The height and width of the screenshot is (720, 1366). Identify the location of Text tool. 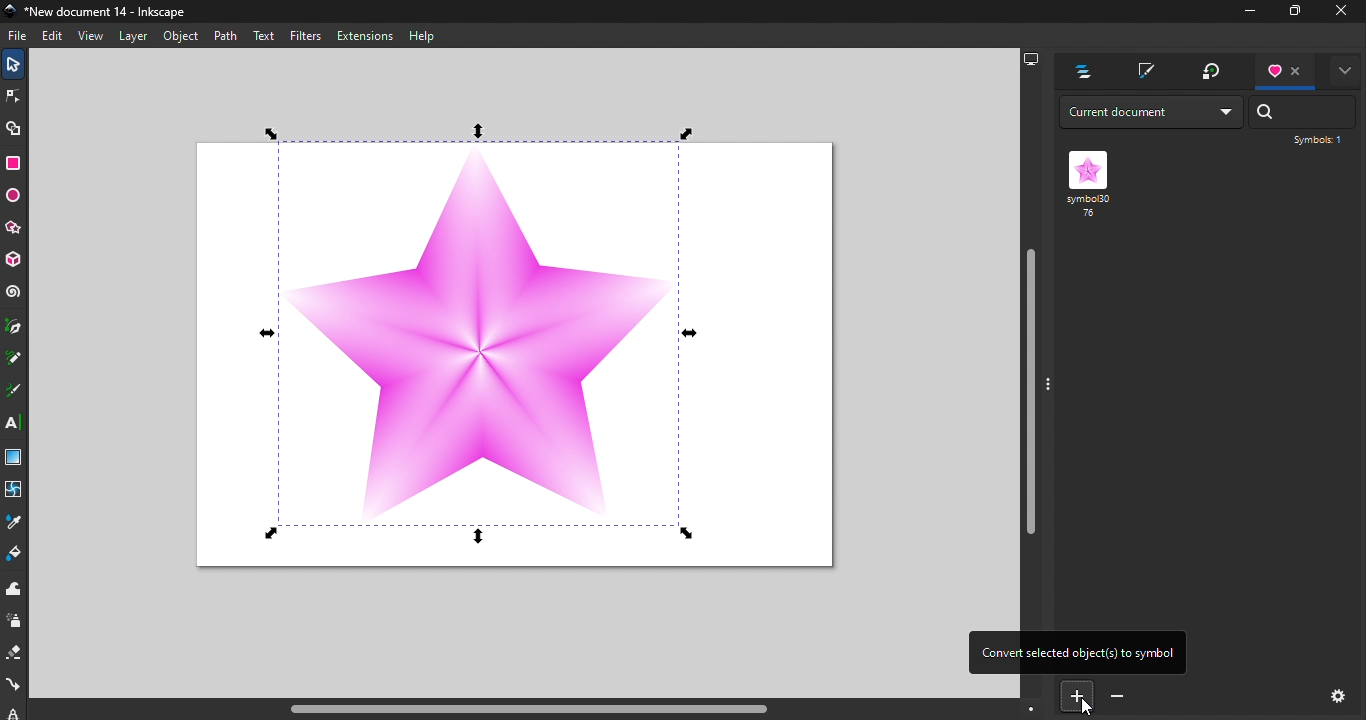
(15, 423).